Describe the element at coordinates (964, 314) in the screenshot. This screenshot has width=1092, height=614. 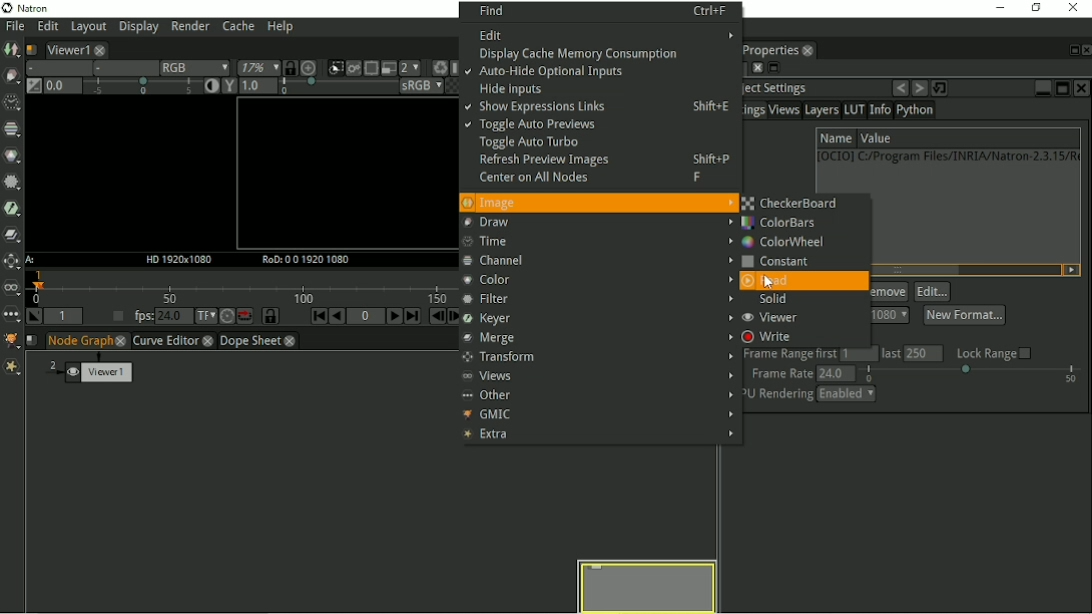
I see `New format` at that location.